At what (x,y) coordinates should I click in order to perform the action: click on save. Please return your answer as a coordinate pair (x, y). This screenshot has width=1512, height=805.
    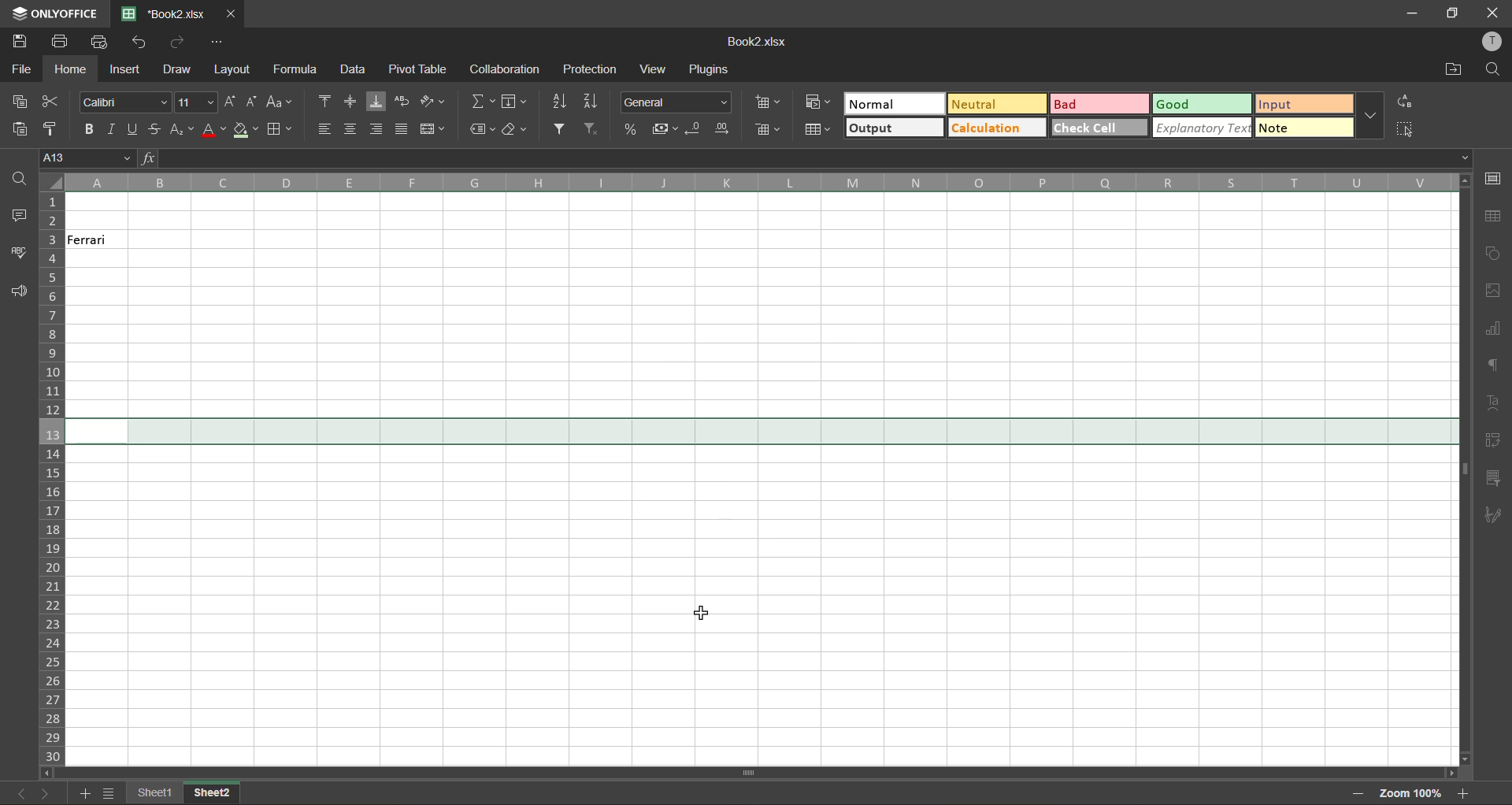
    Looking at the image, I should click on (18, 42).